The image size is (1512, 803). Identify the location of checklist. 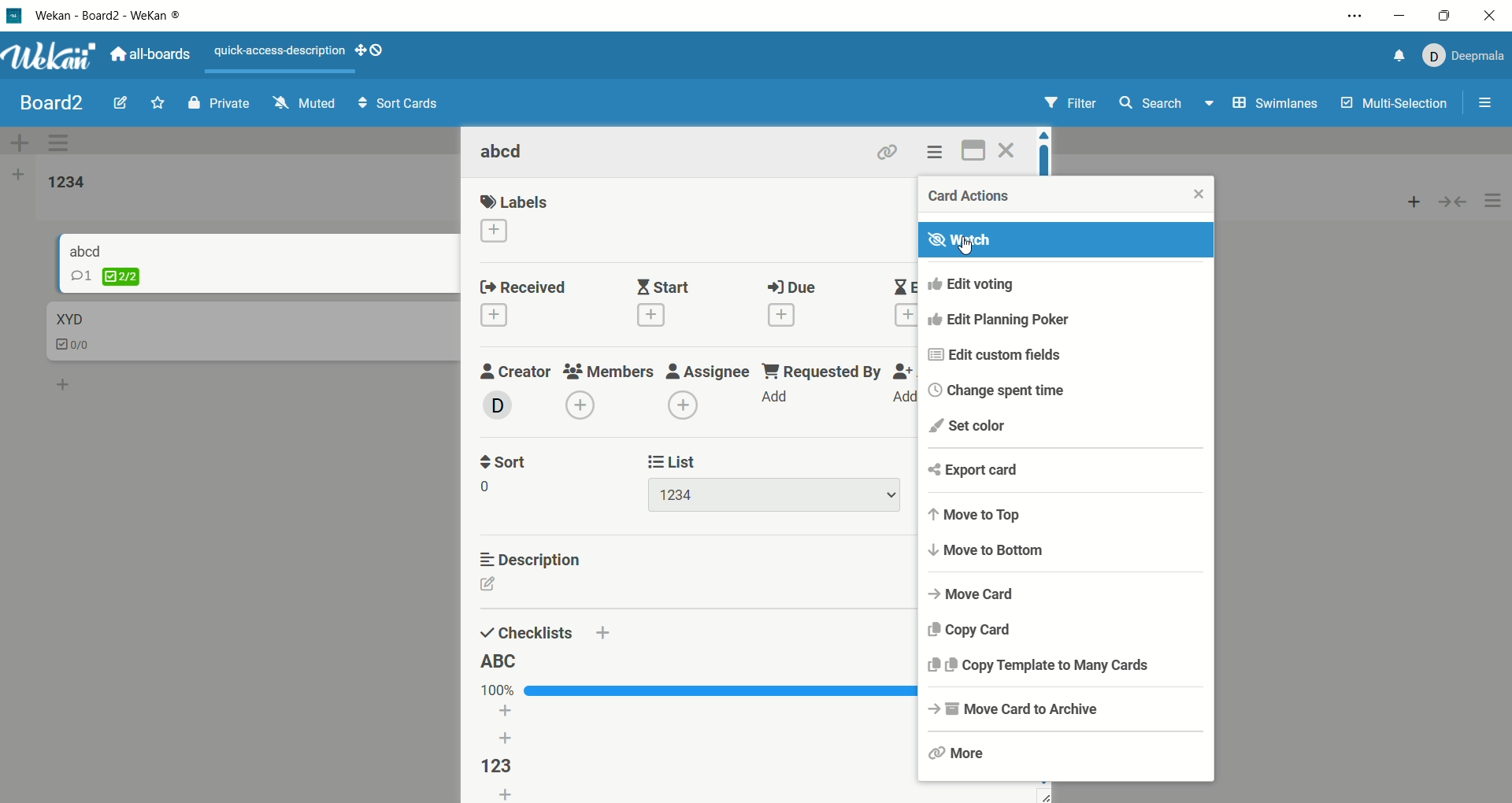
(72, 341).